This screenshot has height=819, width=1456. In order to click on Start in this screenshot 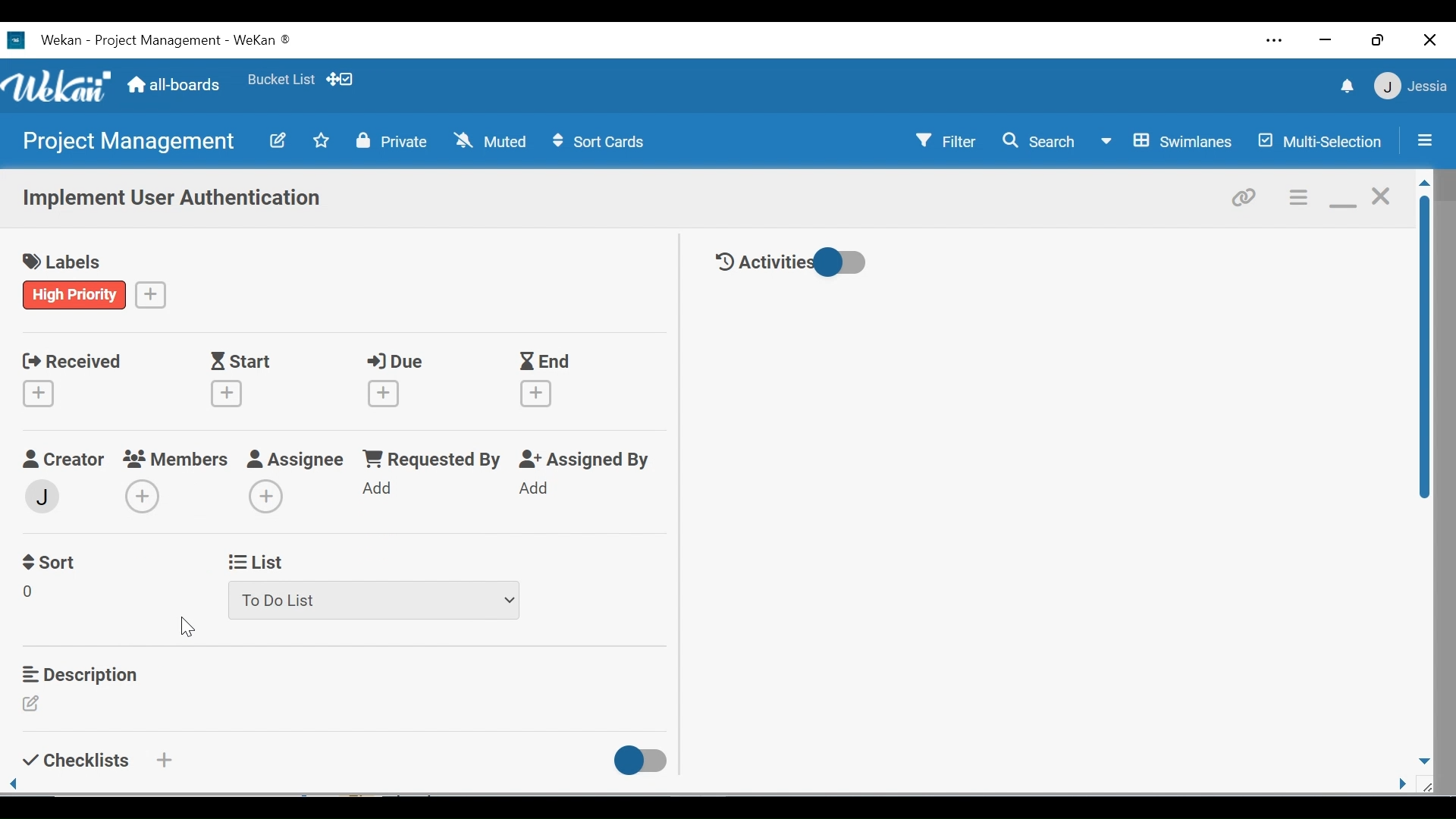, I will do `click(231, 381)`.